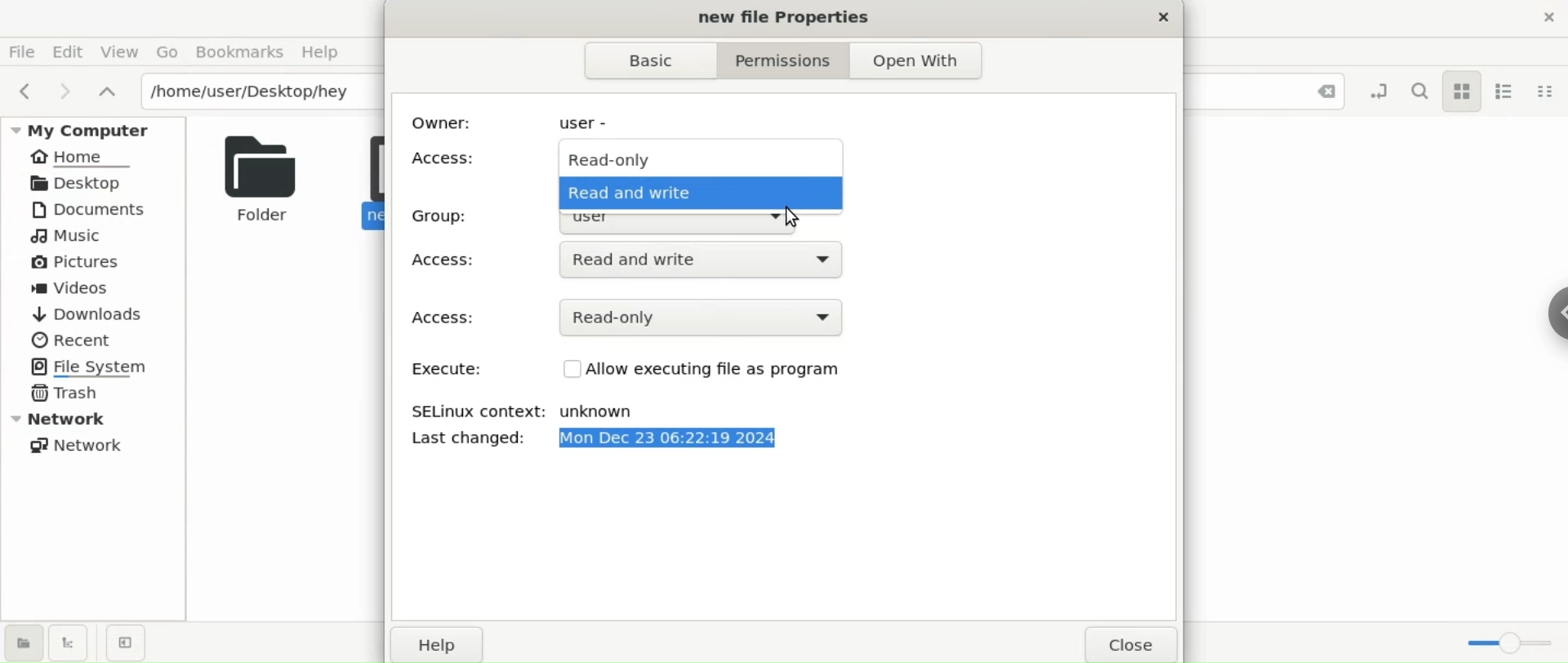 The width and height of the screenshot is (1568, 663). Describe the element at coordinates (96, 209) in the screenshot. I see `Documents` at that location.